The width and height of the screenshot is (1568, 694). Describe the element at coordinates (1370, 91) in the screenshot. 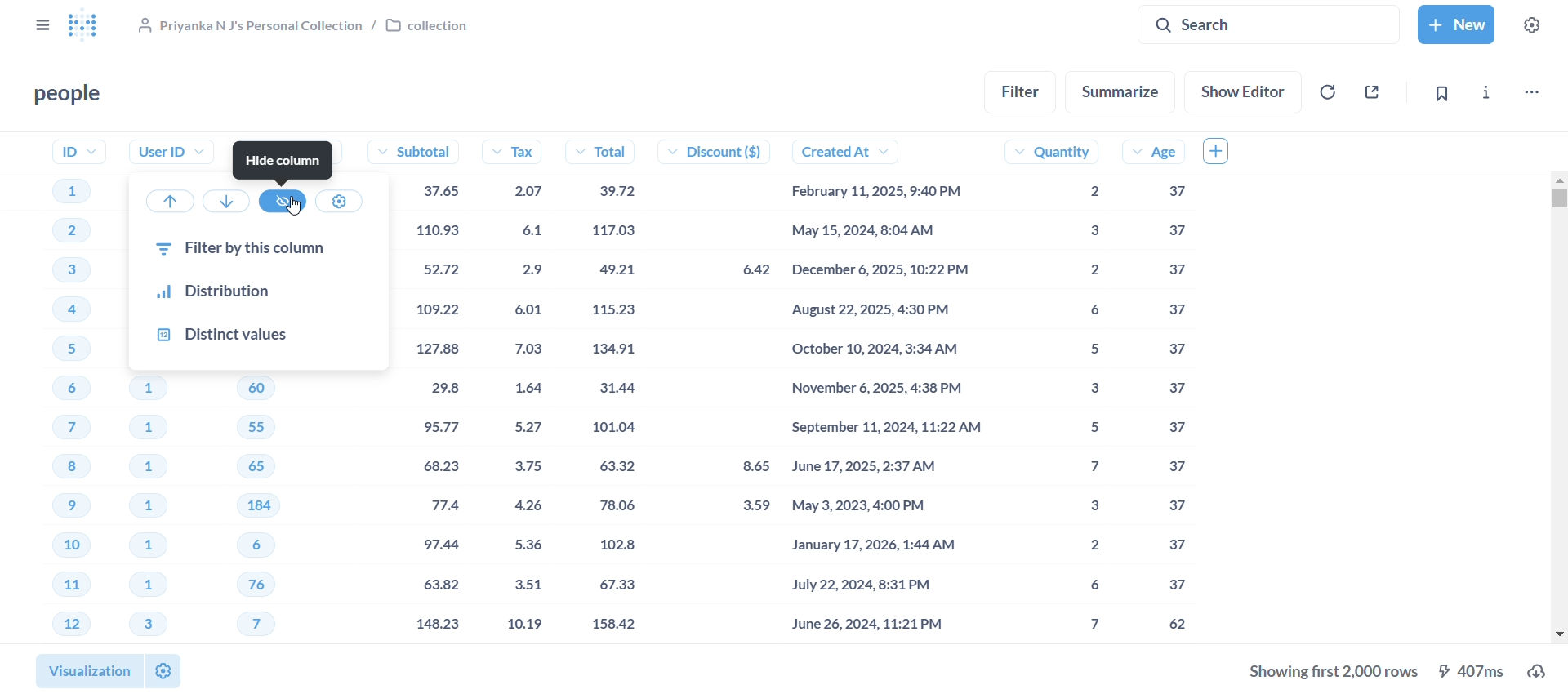

I see `sharing` at that location.